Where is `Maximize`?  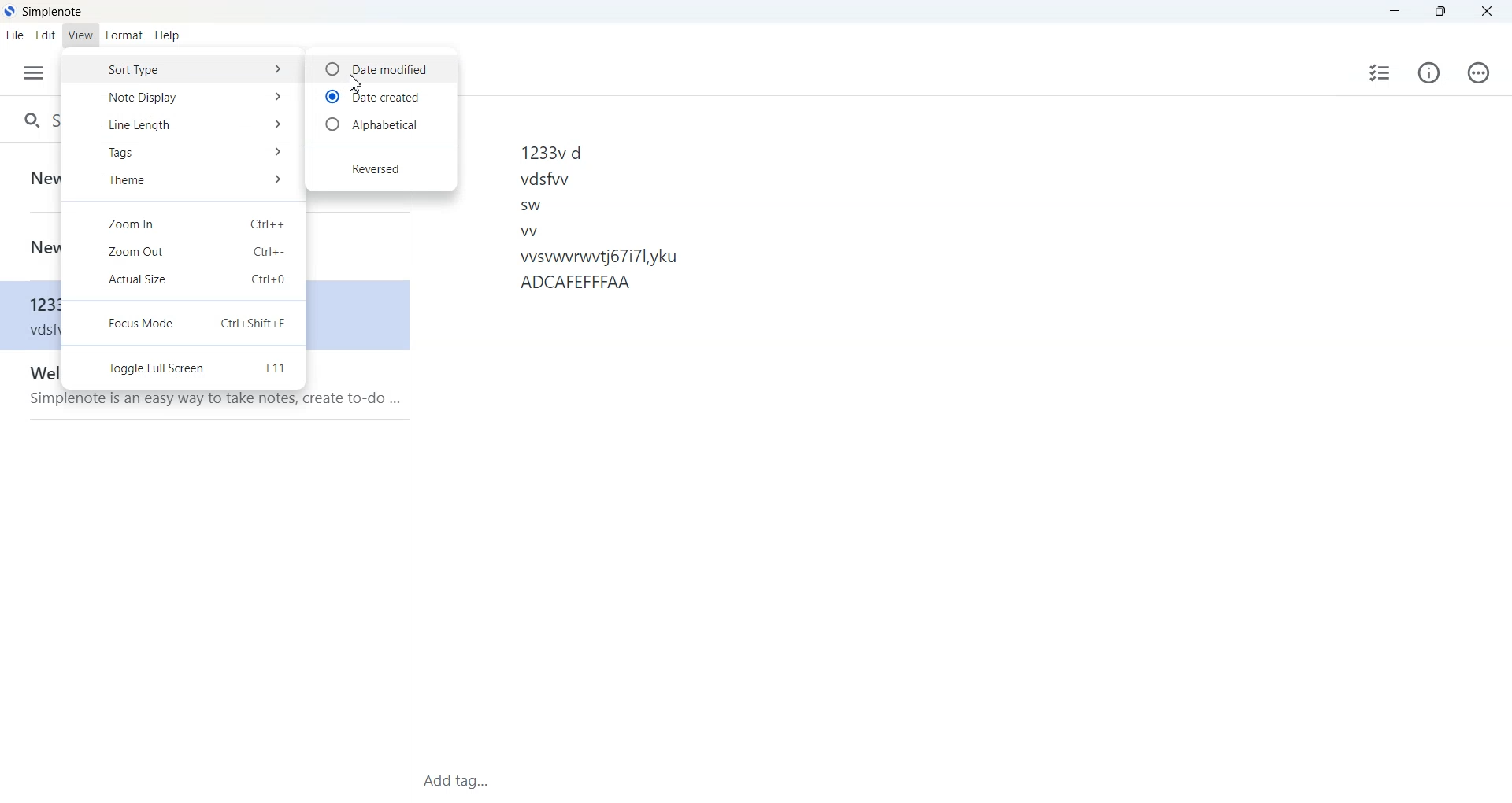
Maximize is located at coordinates (1440, 12).